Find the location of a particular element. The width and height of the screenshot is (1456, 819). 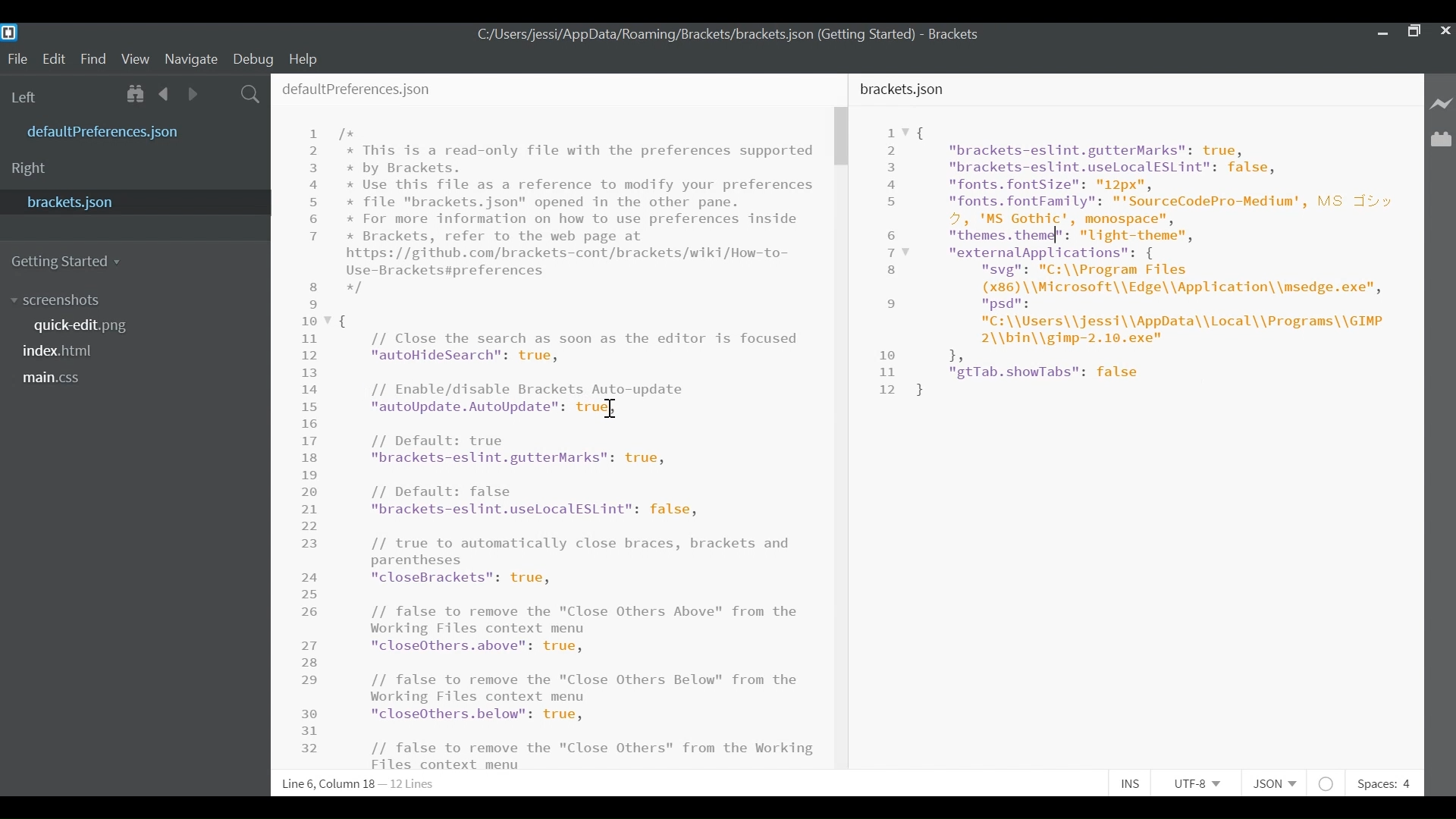

Close is located at coordinates (1446, 31).